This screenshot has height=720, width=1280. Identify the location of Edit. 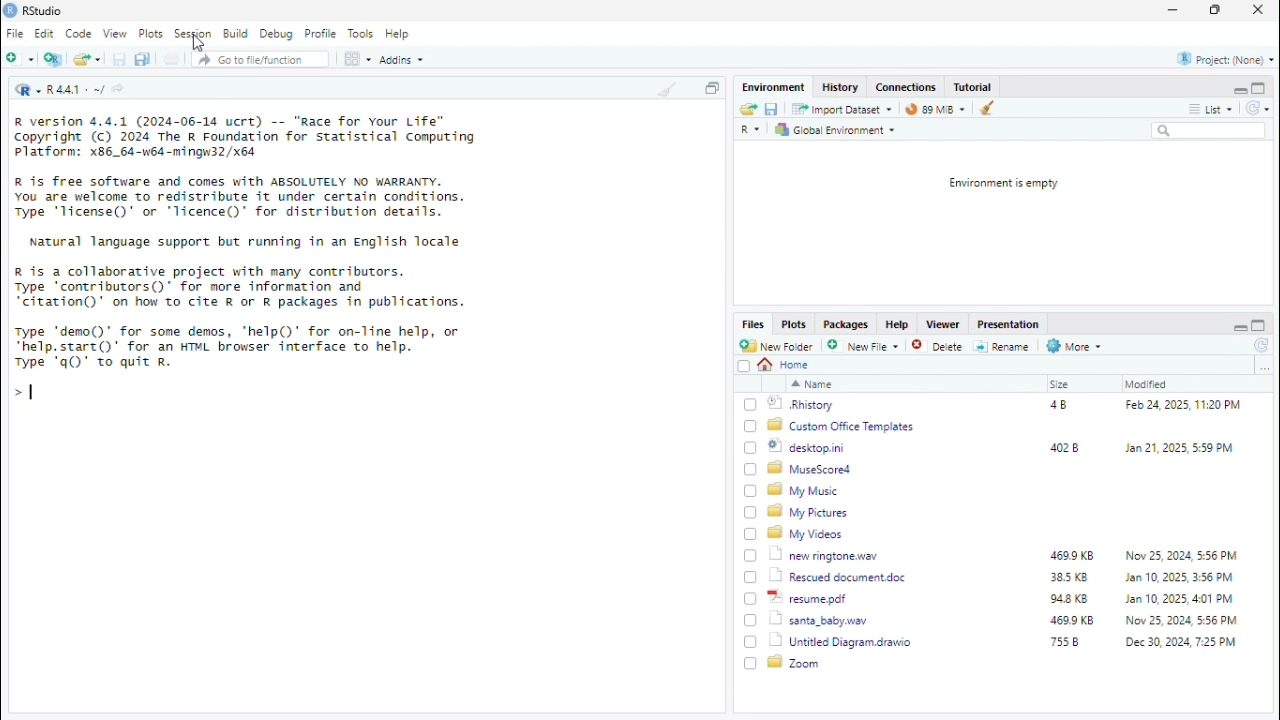
(45, 33).